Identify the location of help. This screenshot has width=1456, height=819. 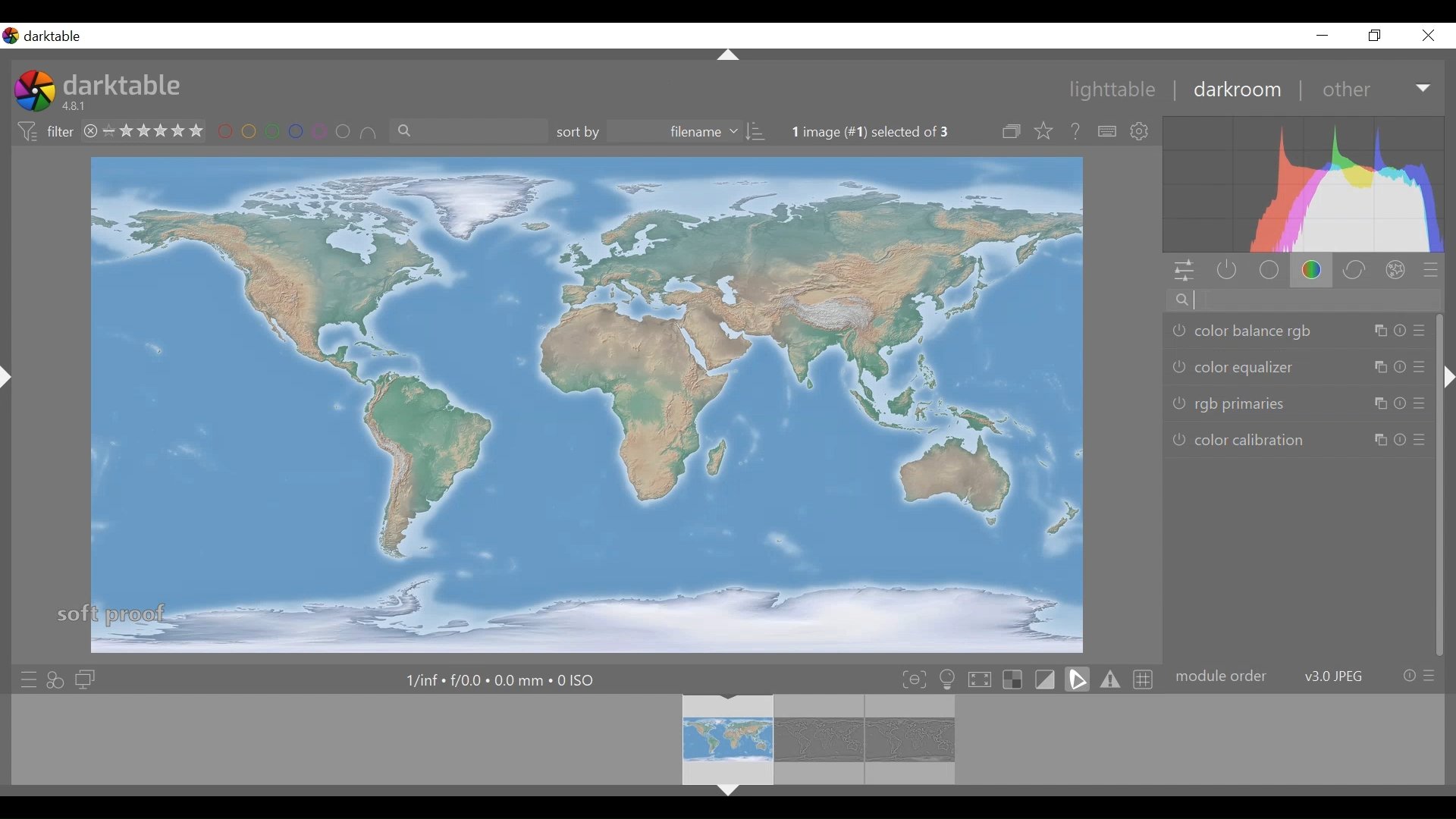
(1075, 131).